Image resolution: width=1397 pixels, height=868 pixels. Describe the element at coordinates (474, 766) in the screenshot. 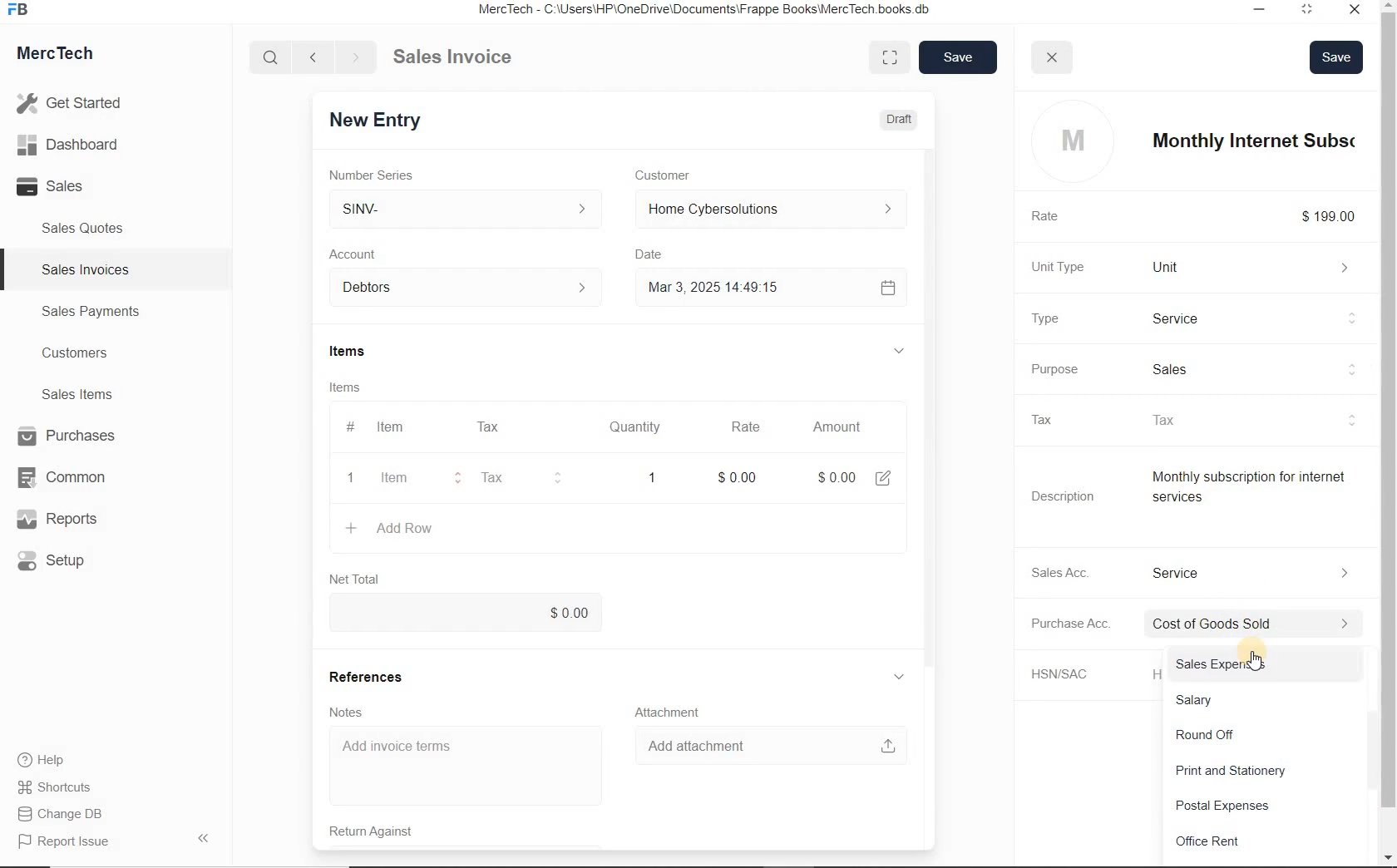

I see `Add invoice terms` at that location.